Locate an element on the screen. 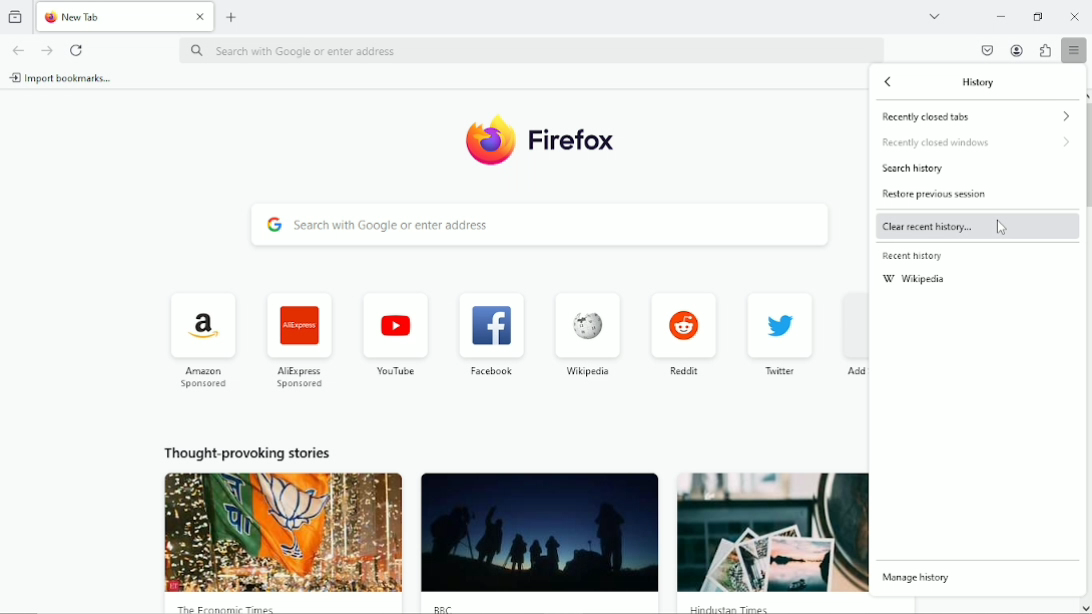  go back is located at coordinates (17, 49).